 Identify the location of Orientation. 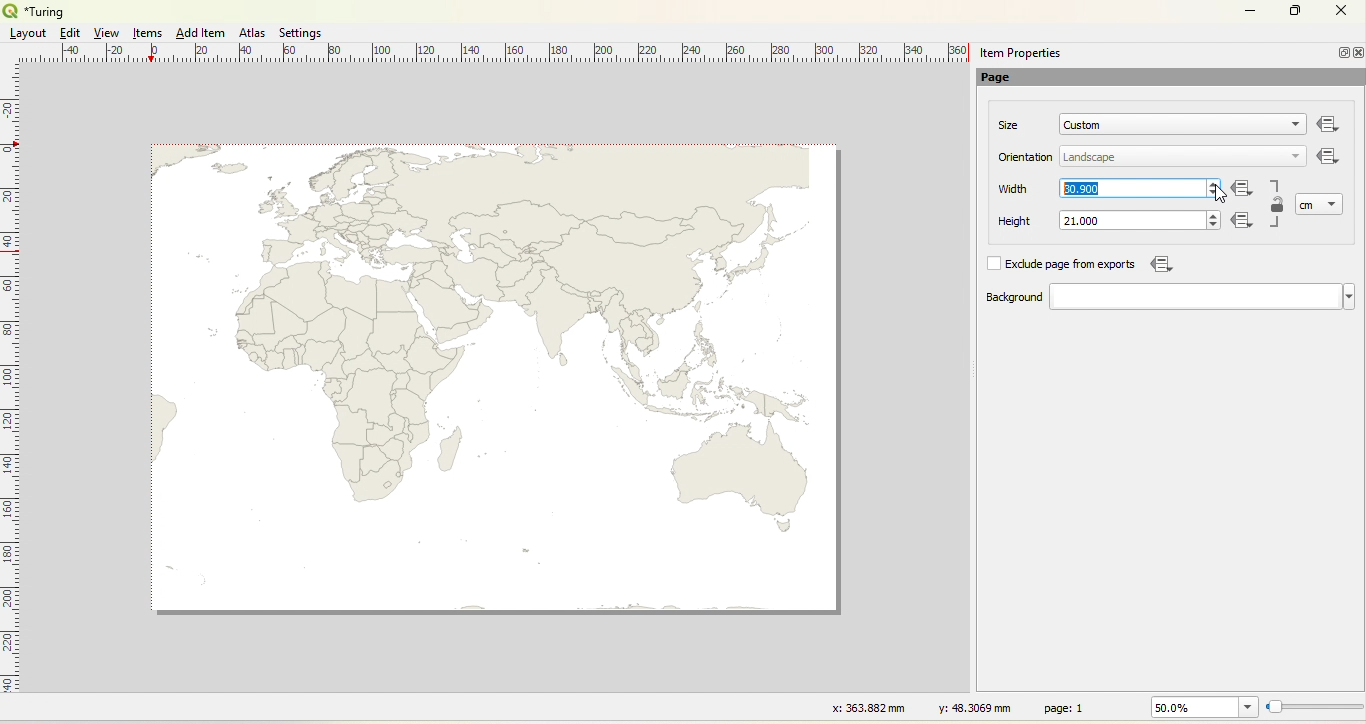
(1027, 157).